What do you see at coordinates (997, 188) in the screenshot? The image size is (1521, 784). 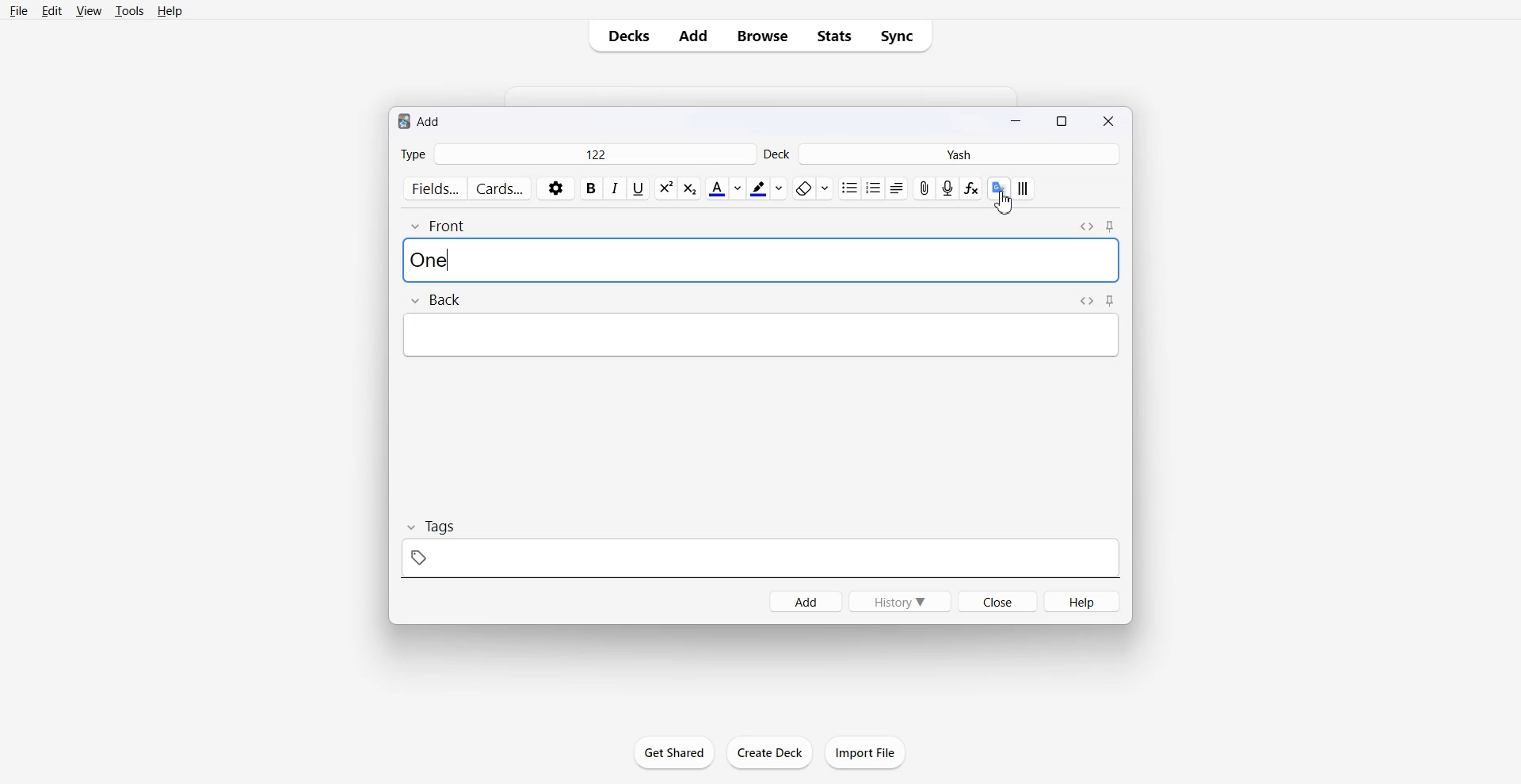 I see `Translate google` at bounding box center [997, 188].